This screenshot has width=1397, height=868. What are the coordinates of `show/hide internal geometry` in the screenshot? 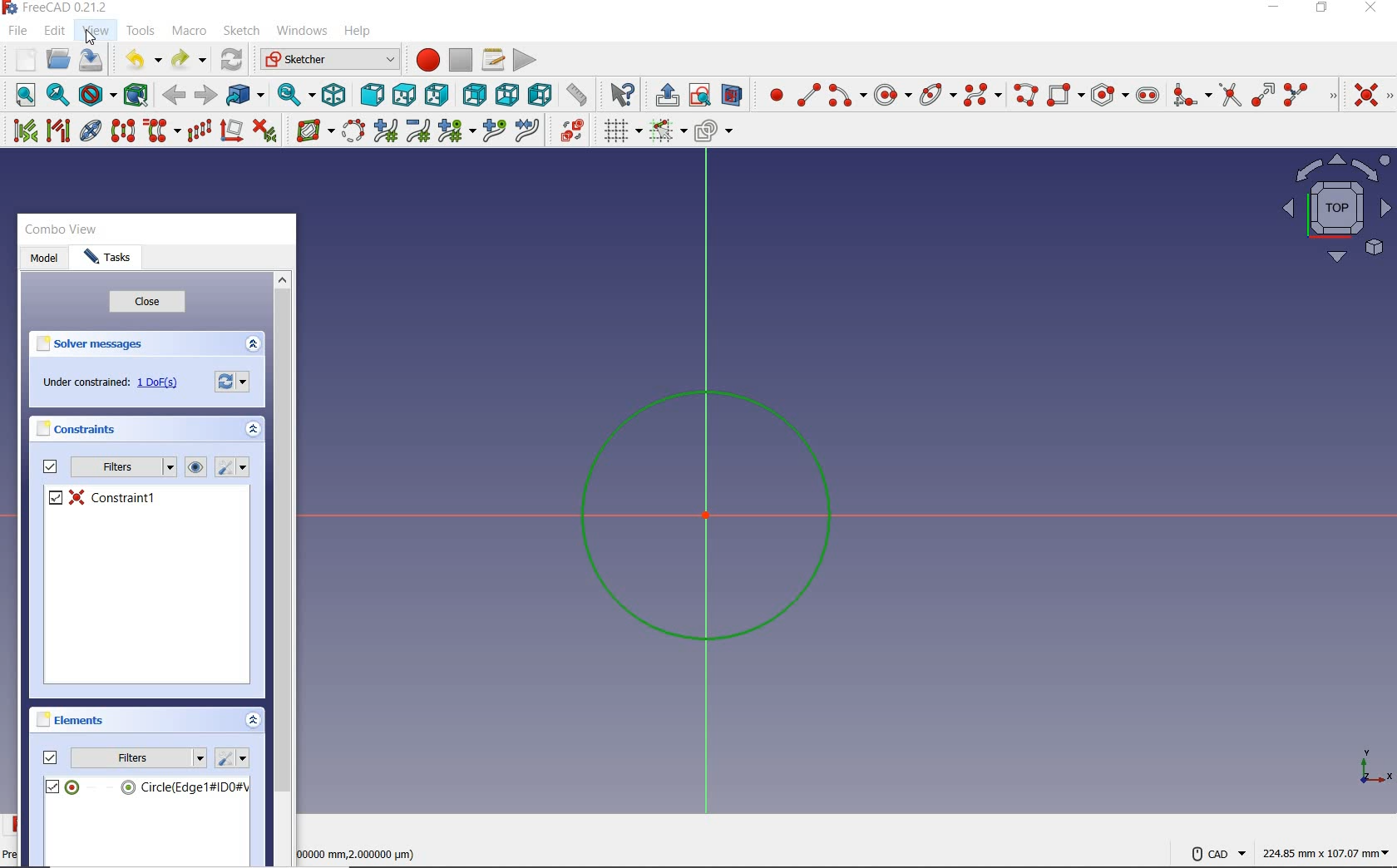 It's located at (90, 131).